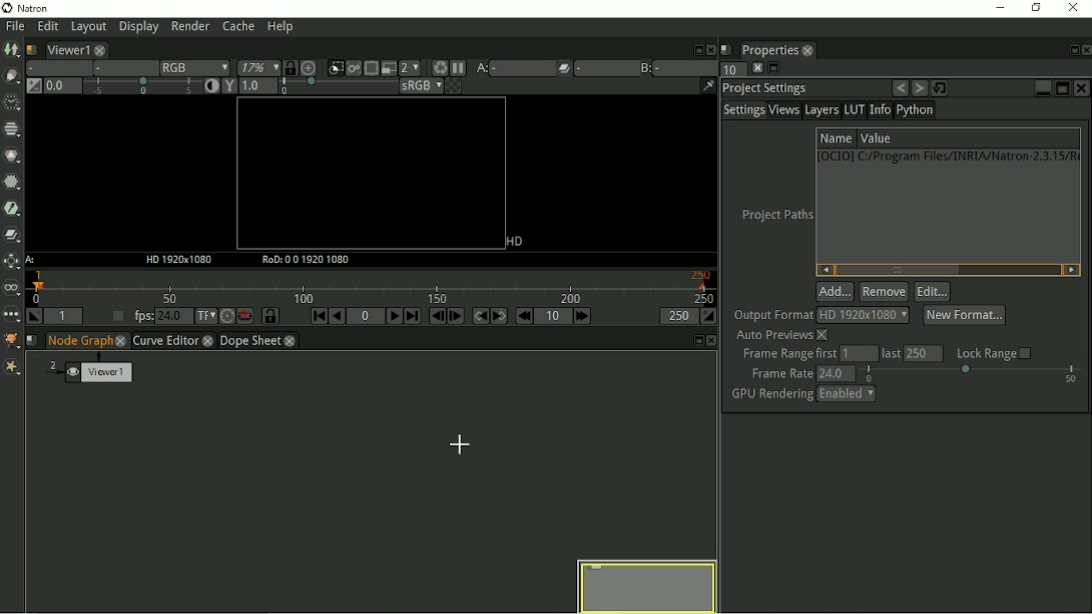  Describe the element at coordinates (31, 260) in the screenshot. I see `A` at that location.